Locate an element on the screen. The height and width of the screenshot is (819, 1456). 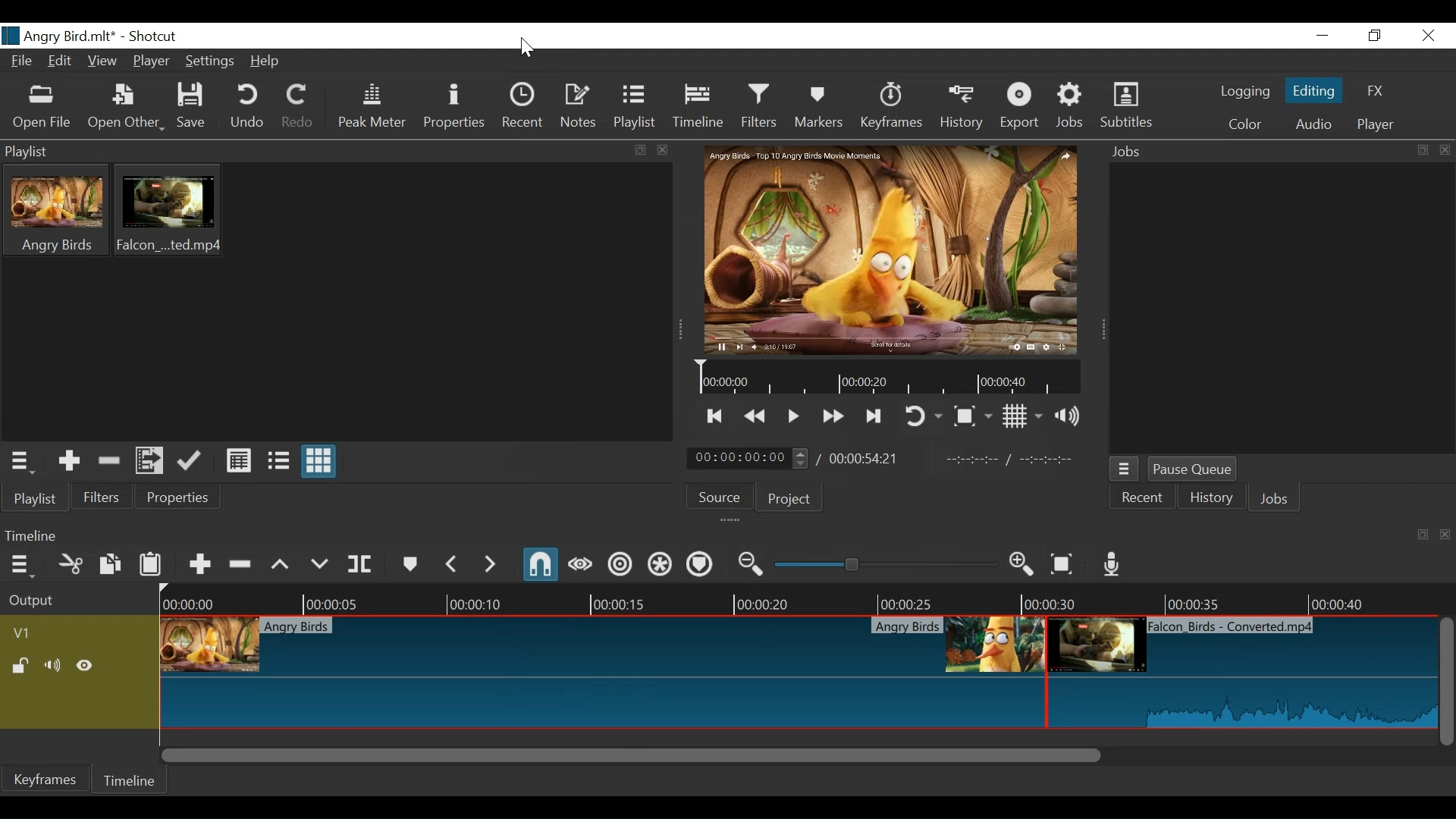
Project is located at coordinates (793, 499).